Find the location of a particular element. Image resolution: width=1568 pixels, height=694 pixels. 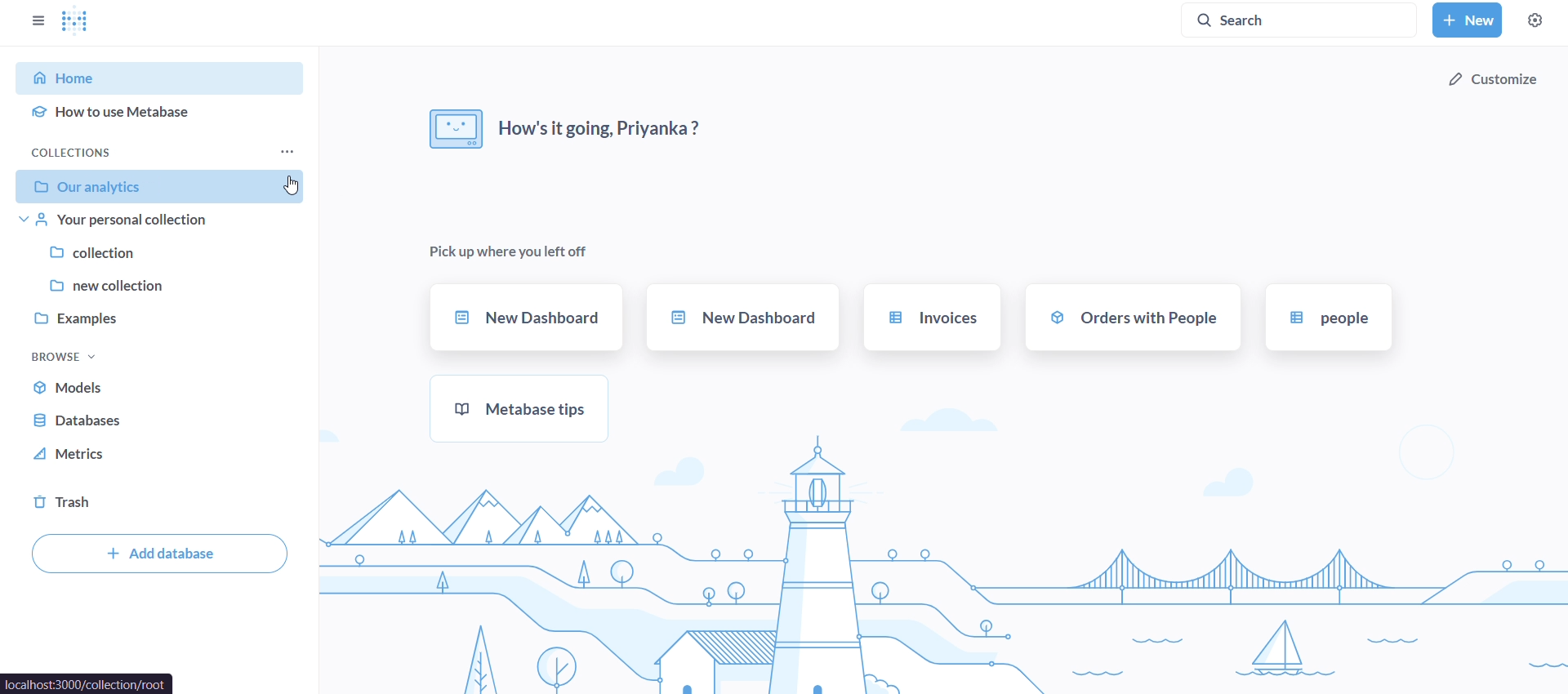

settings is located at coordinates (1536, 20).